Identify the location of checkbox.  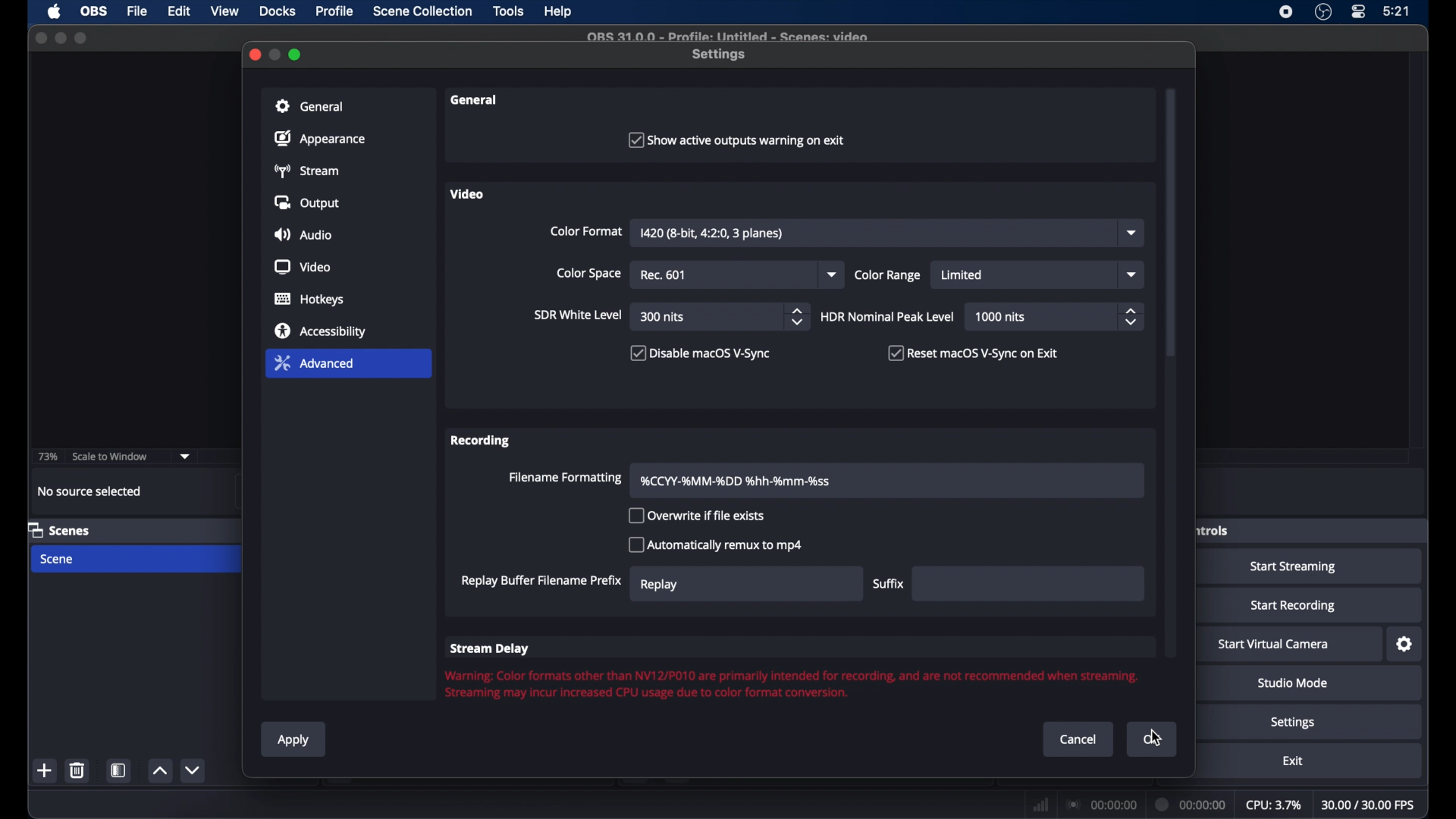
(736, 140).